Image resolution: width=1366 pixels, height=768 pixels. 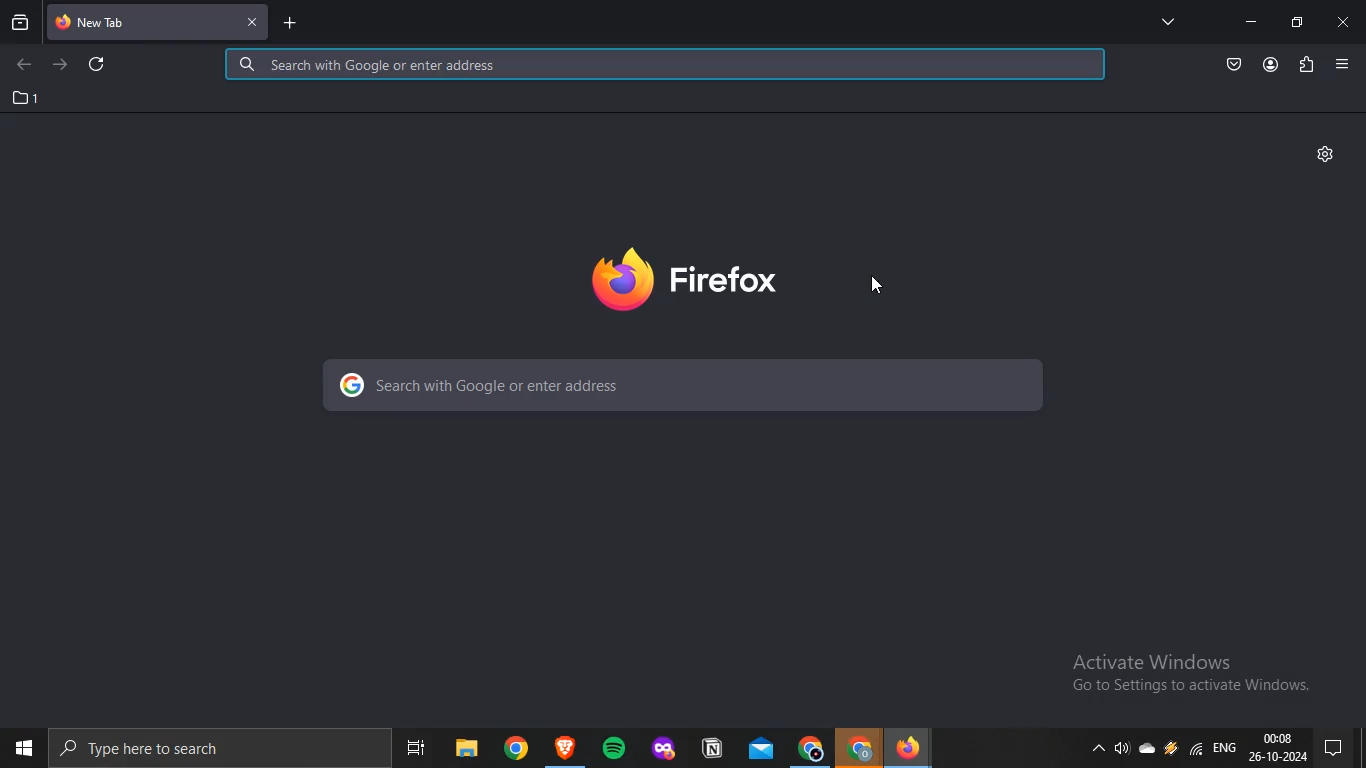 What do you see at coordinates (1307, 66) in the screenshot?
I see `extensions` at bounding box center [1307, 66].